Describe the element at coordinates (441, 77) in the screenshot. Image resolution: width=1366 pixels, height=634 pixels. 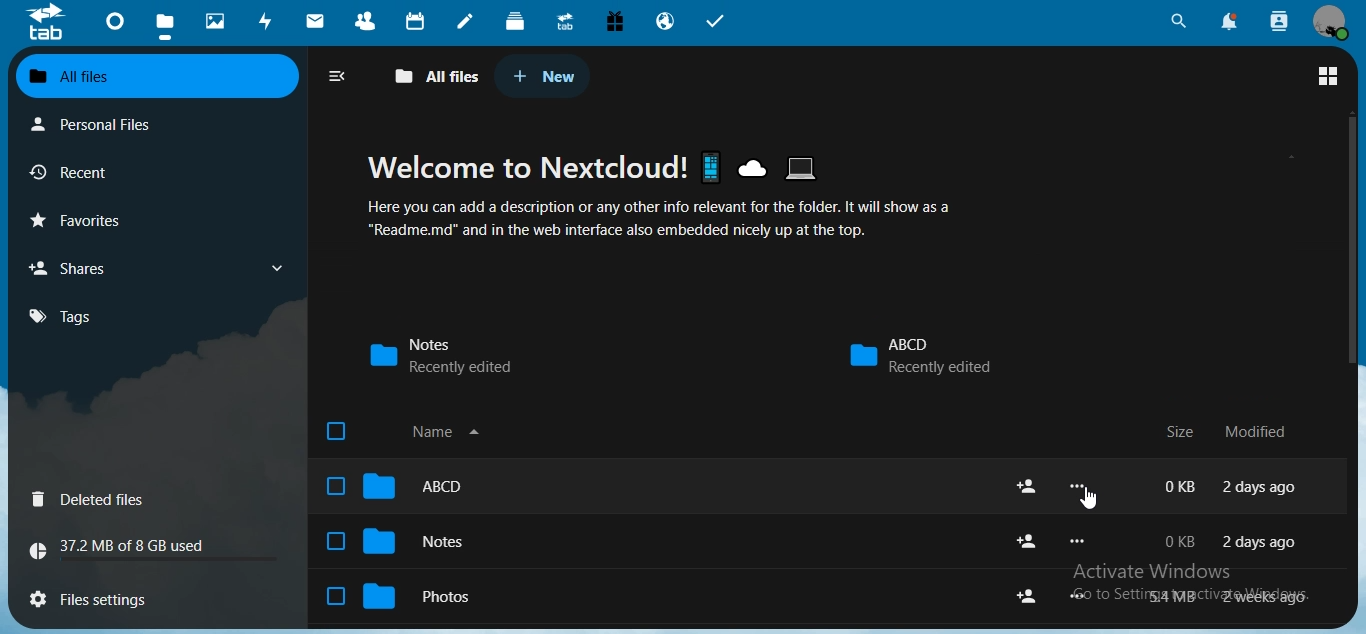
I see `all files` at that location.